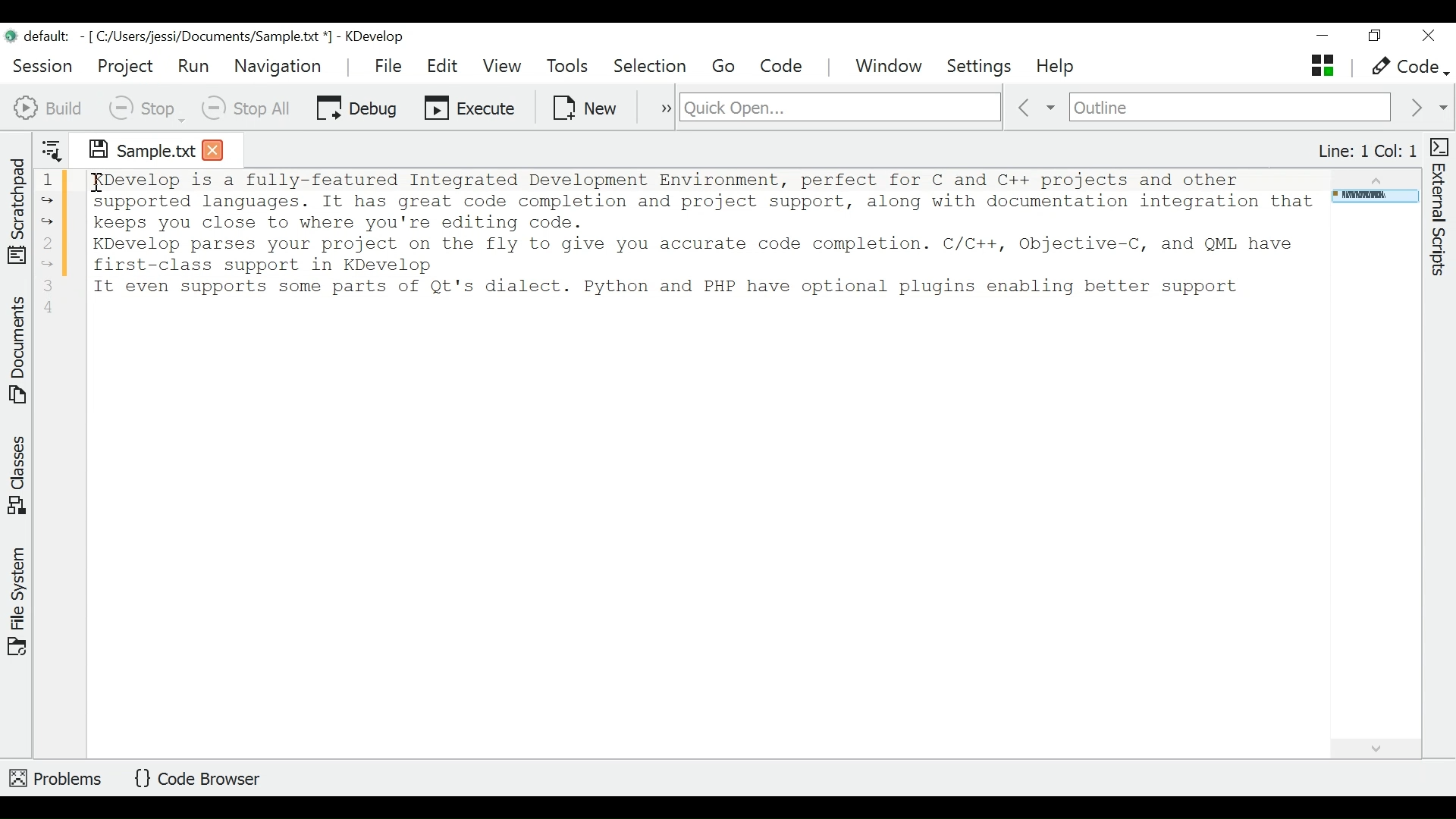 The image size is (1456, 819). I want to click on Settings, so click(984, 67).